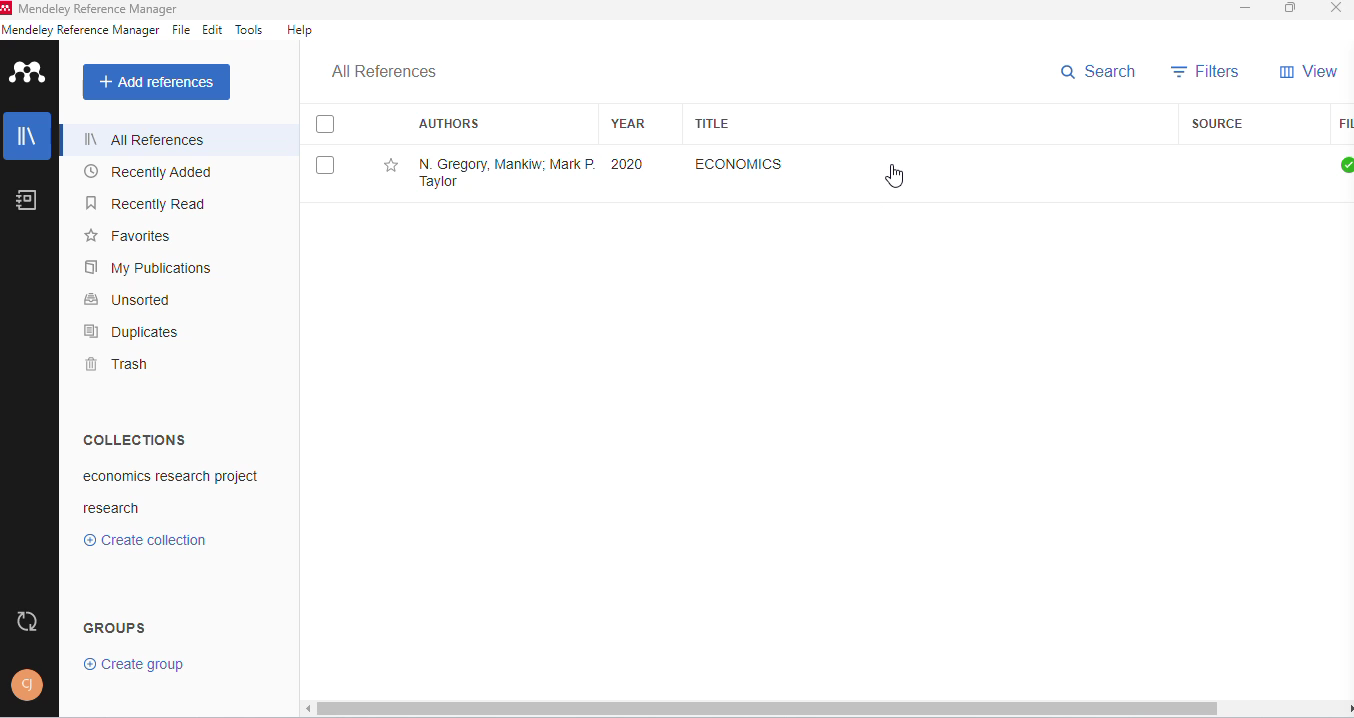 The width and height of the screenshot is (1354, 718). I want to click on sync, so click(25, 621).